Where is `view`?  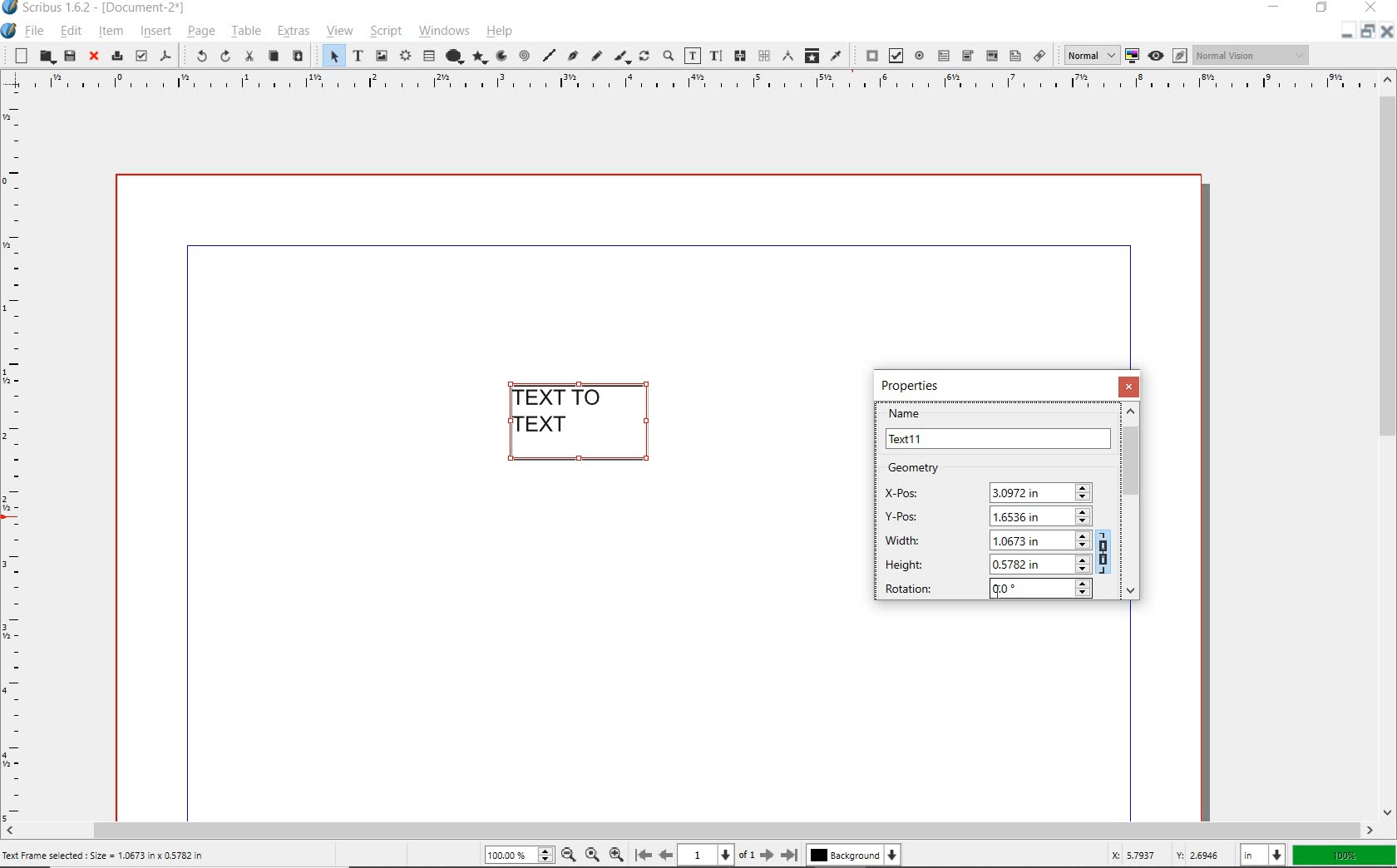
view is located at coordinates (340, 32).